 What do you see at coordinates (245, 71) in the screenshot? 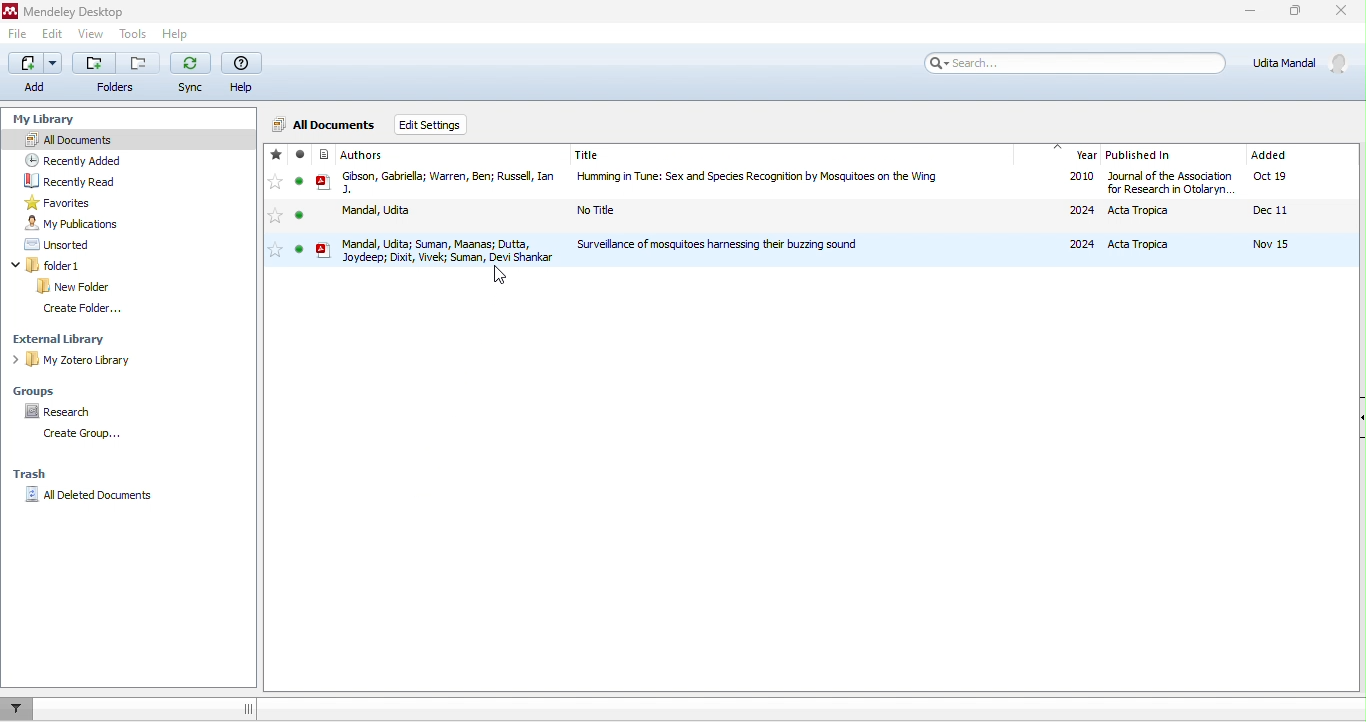
I see `help` at bounding box center [245, 71].